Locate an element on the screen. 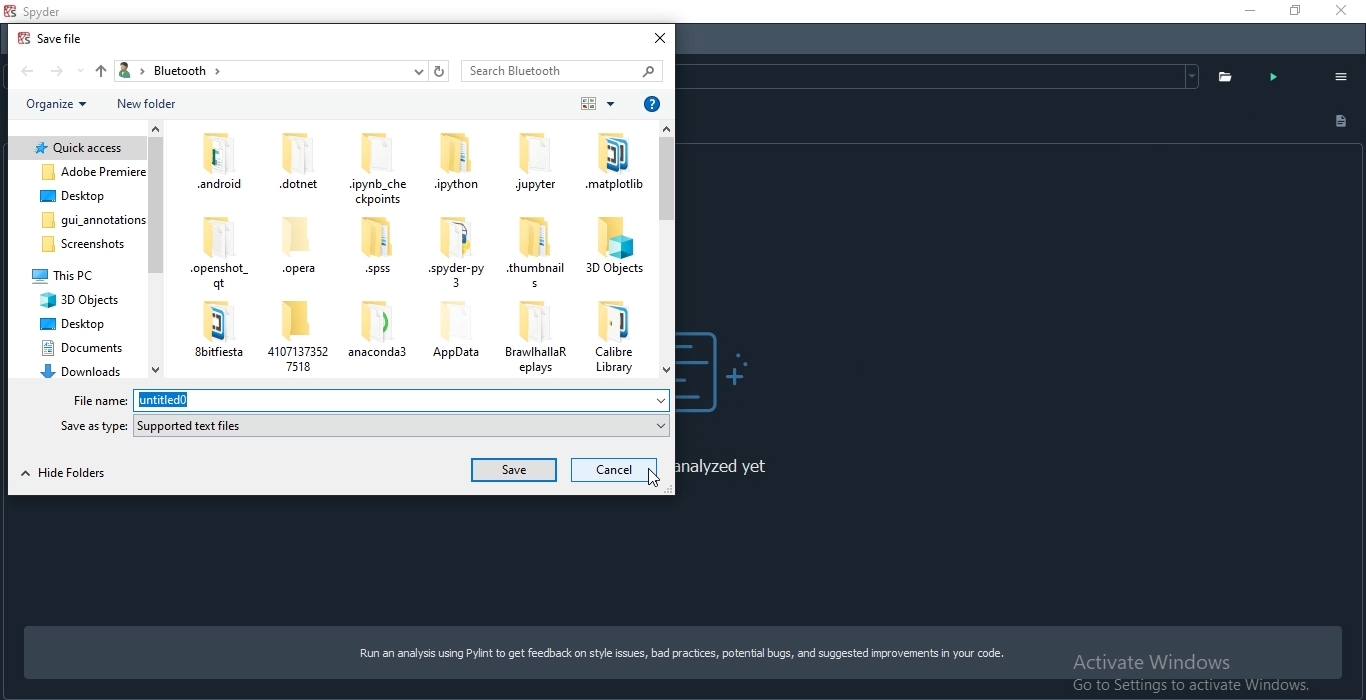  3d objects is located at coordinates (71, 301).